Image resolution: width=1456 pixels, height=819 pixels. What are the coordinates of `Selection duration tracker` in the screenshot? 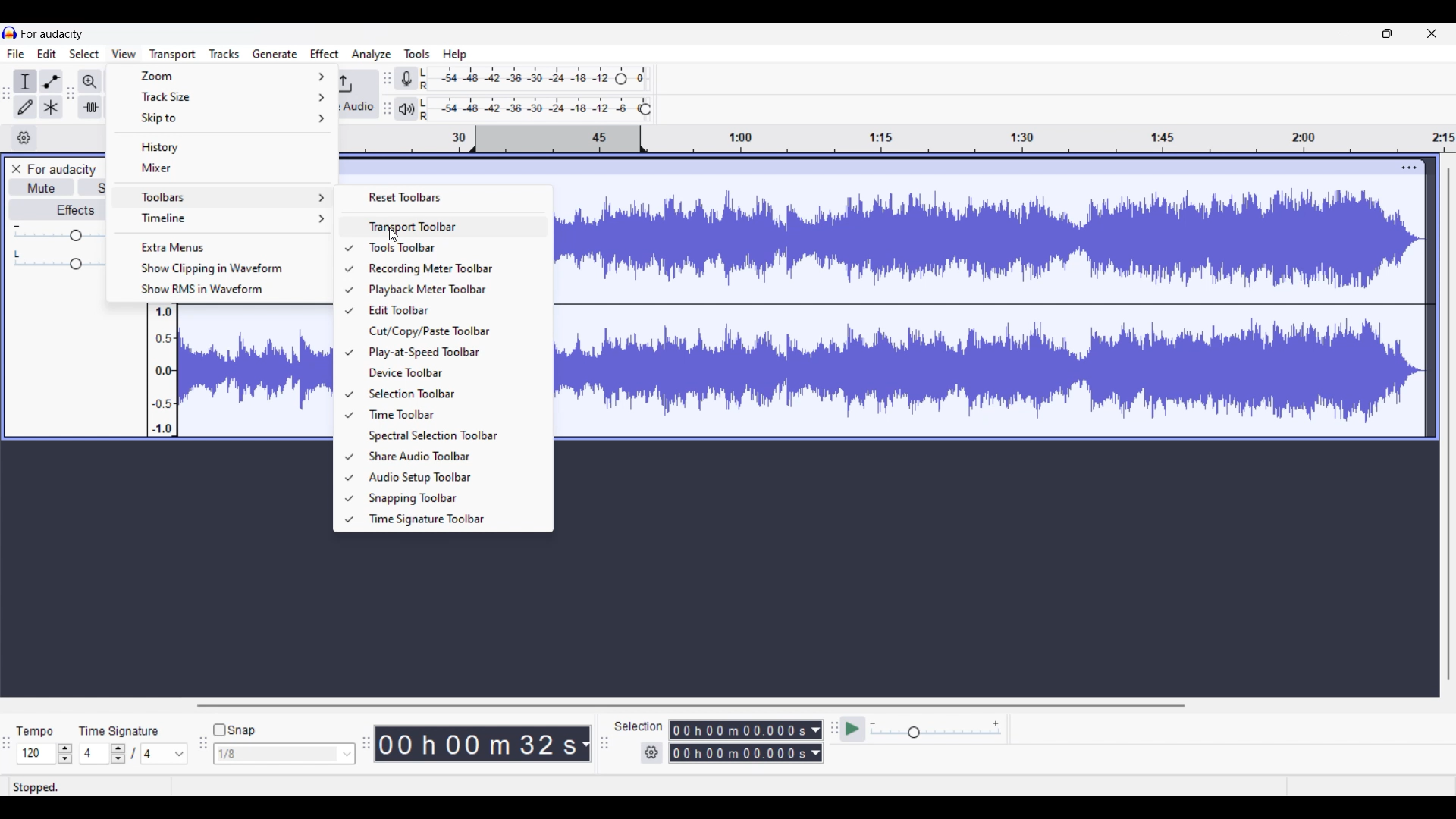 It's located at (739, 753).